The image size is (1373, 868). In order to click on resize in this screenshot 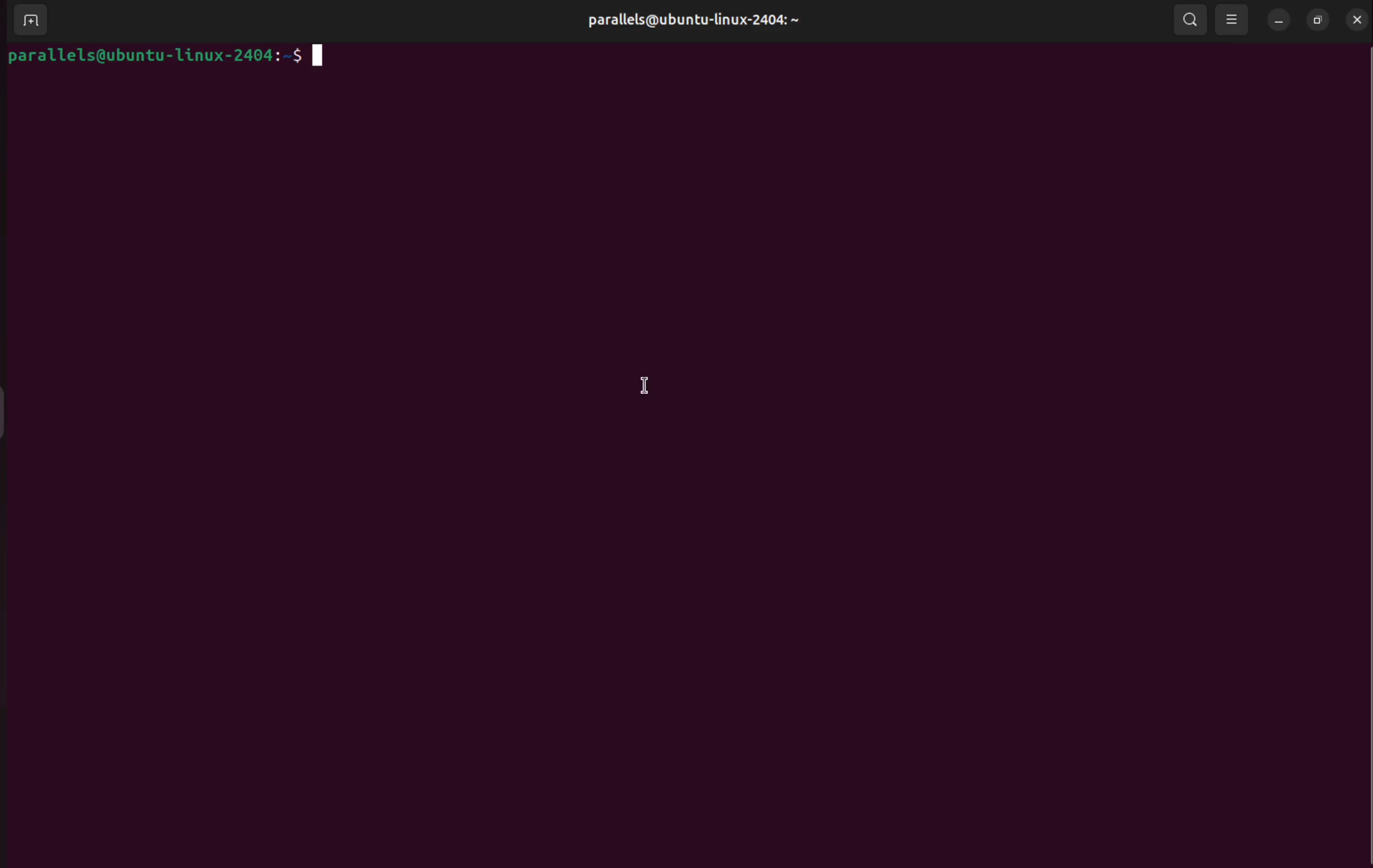, I will do `click(1319, 20)`.